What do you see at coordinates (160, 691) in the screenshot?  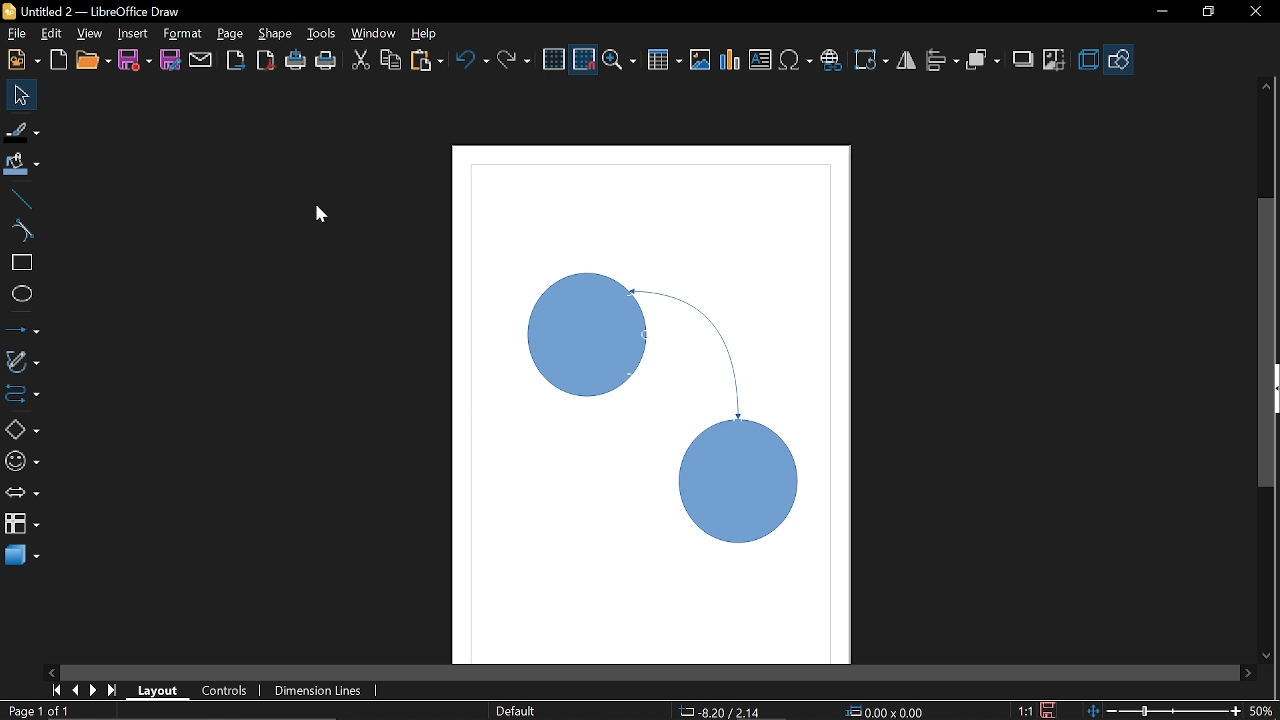 I see `Layout` at bounding box center [160, 691].